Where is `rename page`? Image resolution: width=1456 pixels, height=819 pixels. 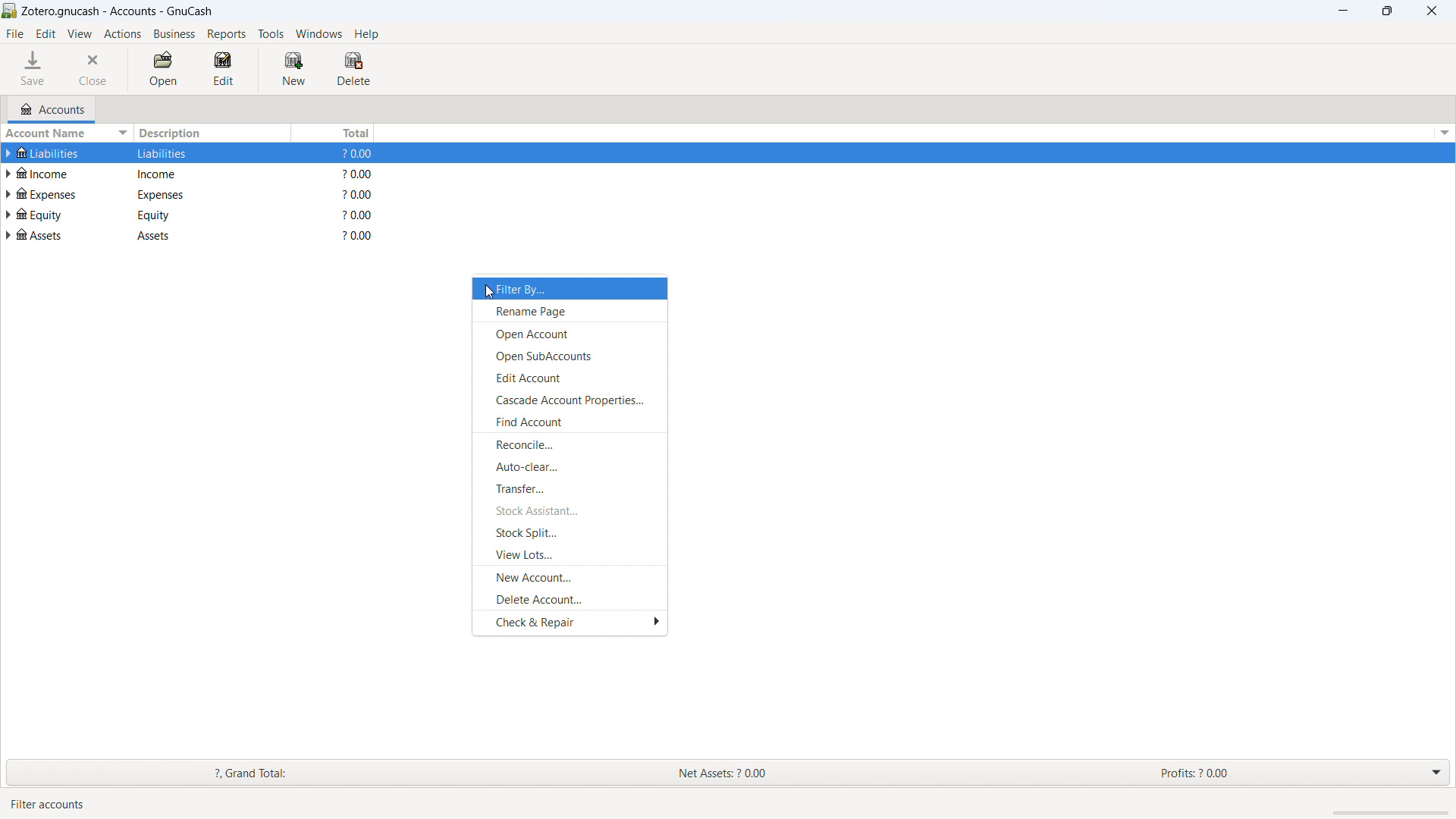 rename page is located at coordinates (569, 313).